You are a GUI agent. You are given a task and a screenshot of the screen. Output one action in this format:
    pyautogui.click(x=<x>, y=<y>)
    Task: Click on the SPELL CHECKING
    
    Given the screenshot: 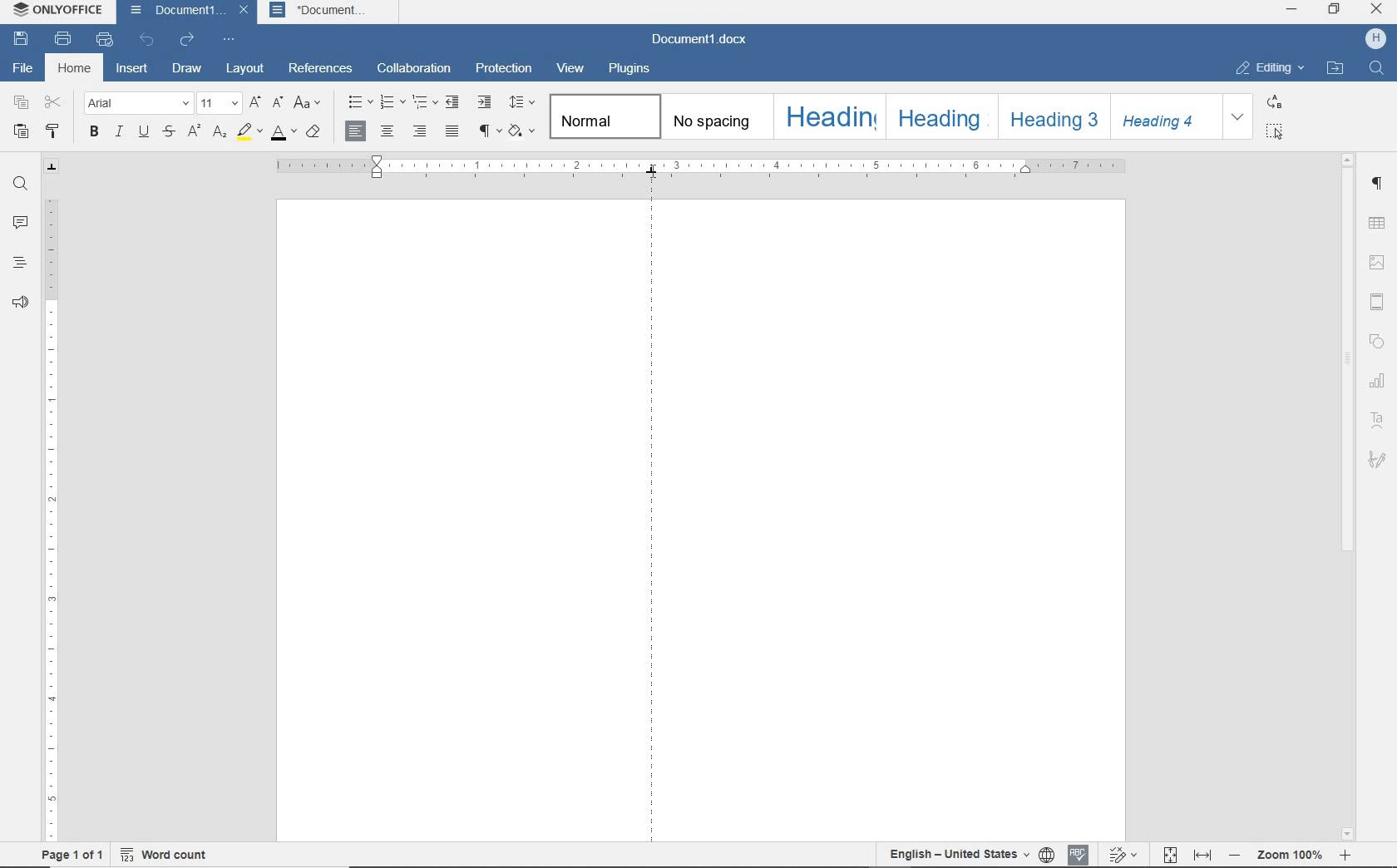 What is the action you would take?
    pyautogui.click(x=1048, y=855)
    